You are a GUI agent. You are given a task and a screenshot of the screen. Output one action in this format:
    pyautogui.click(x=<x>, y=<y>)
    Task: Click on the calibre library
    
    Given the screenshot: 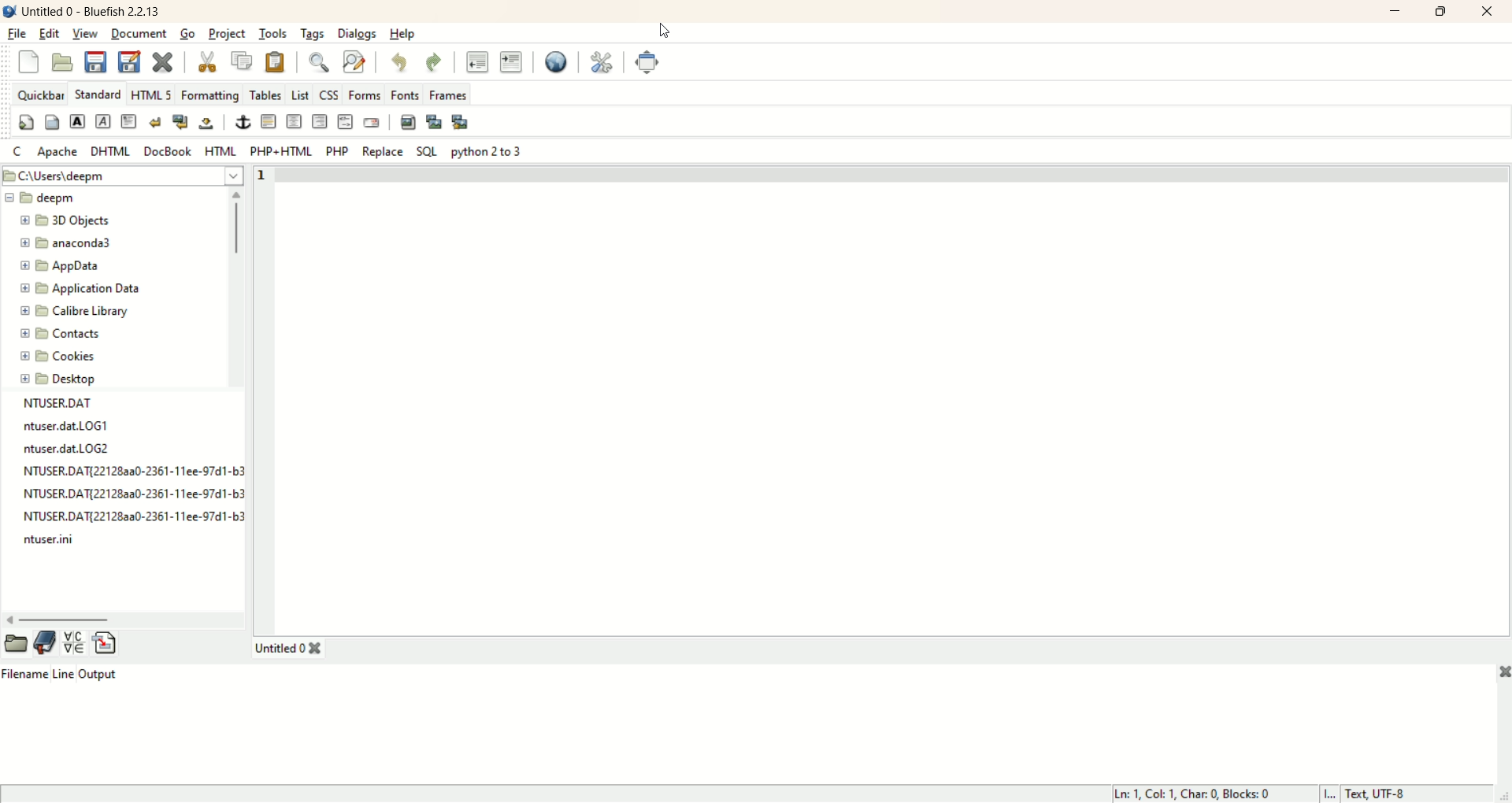 What is the action you would take?
    pyautogui.click(x=76, y=310)
    